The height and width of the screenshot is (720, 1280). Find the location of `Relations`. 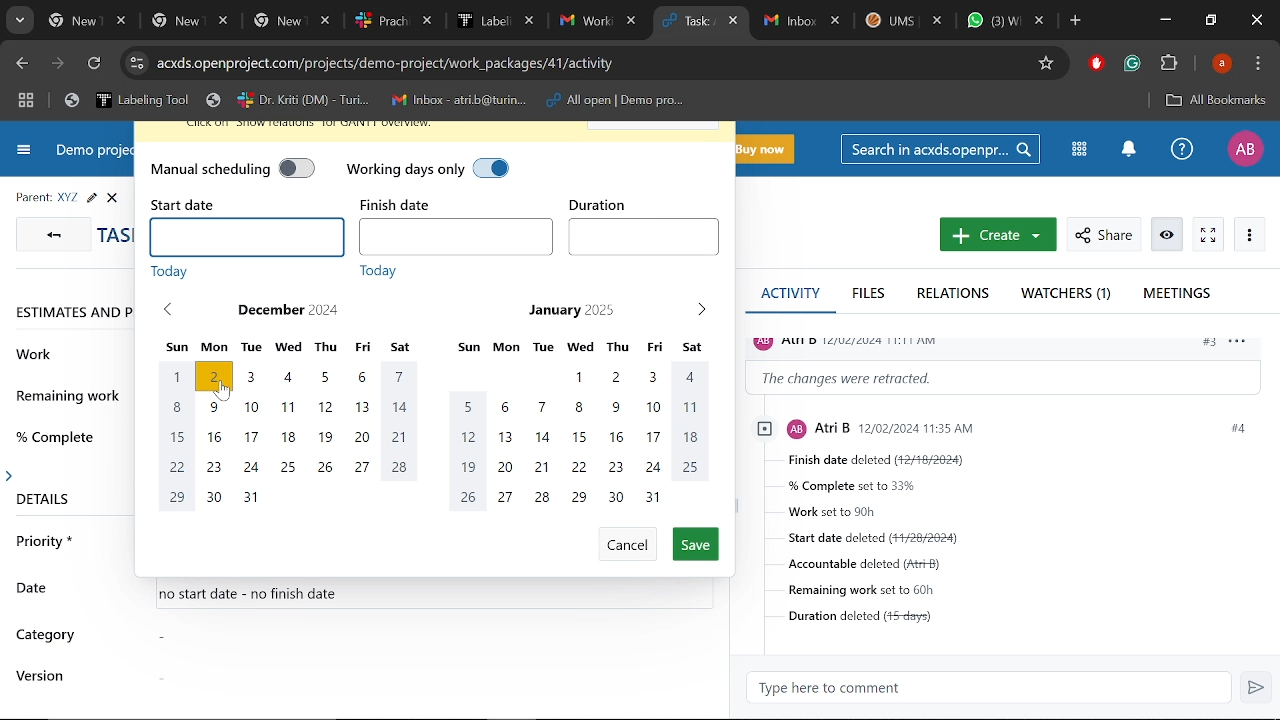

Relations is located at coordinates (958, 295).